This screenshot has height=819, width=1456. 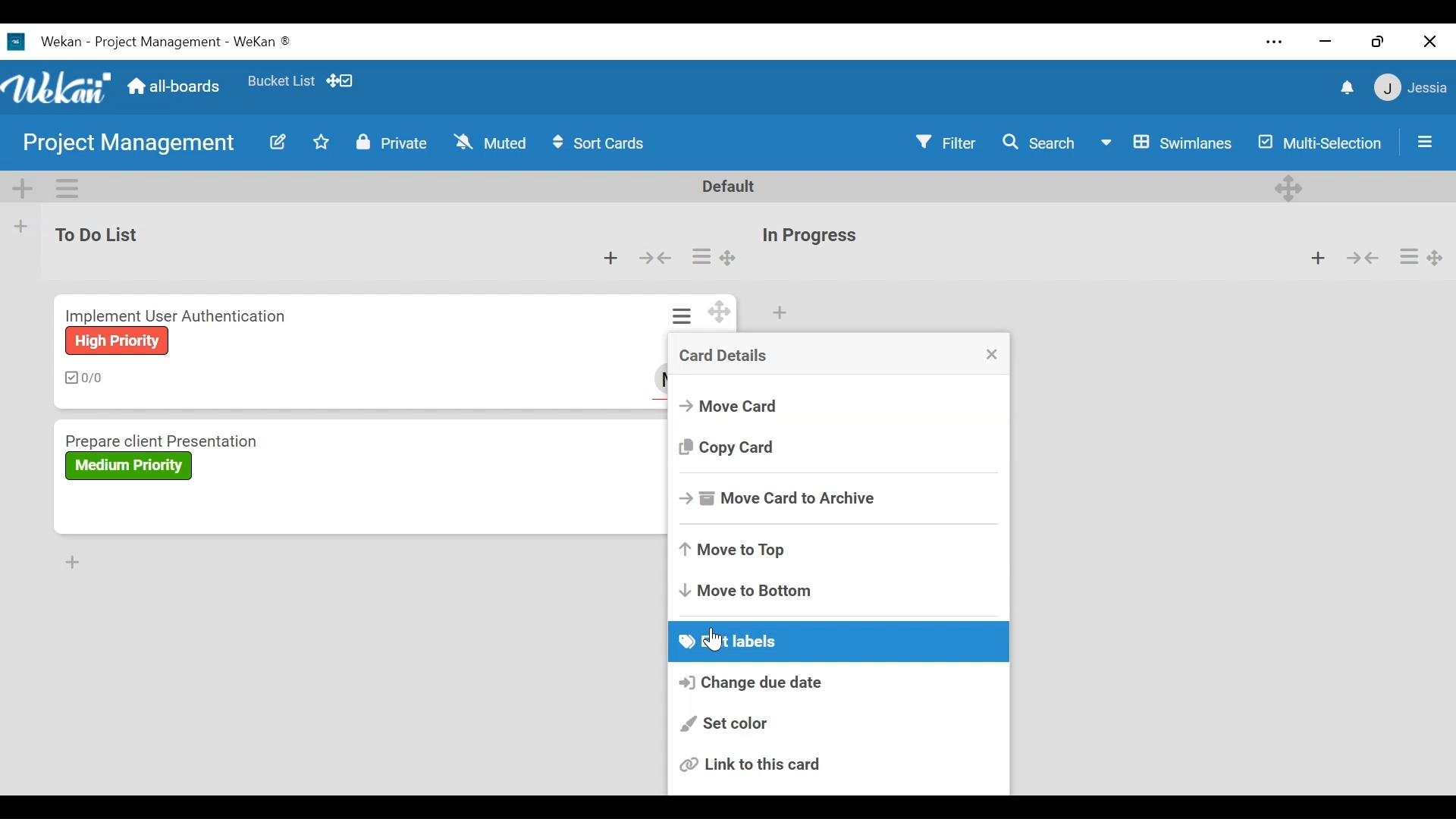 What do you see at coordinates (662, 378) in the screenshot?
I see `Member` at bounding box center [662, 378].